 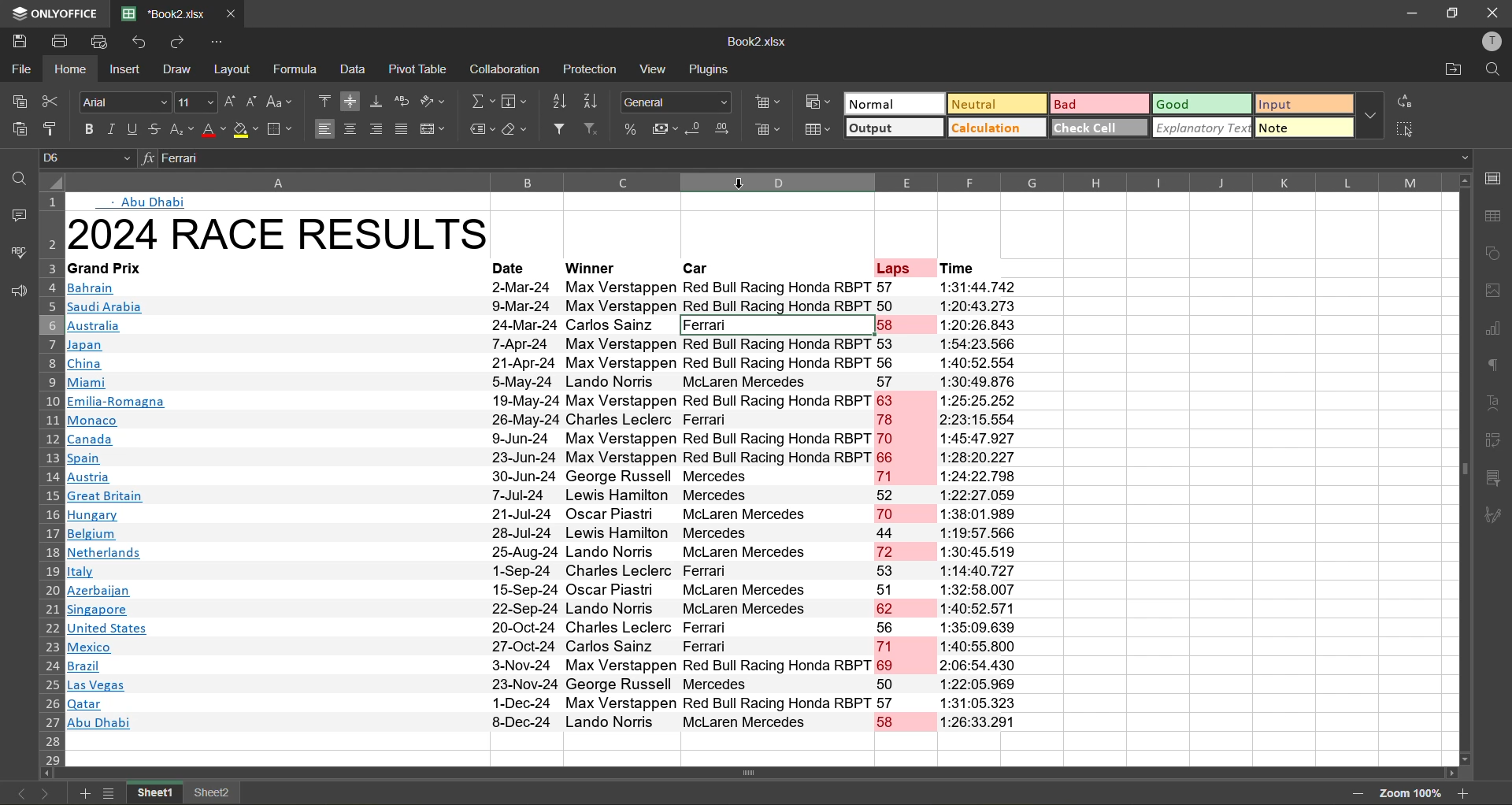 What do you see at coordinates (213, 794) in the screenshot?
I see `sheet2` at bounding box center [213, 794].